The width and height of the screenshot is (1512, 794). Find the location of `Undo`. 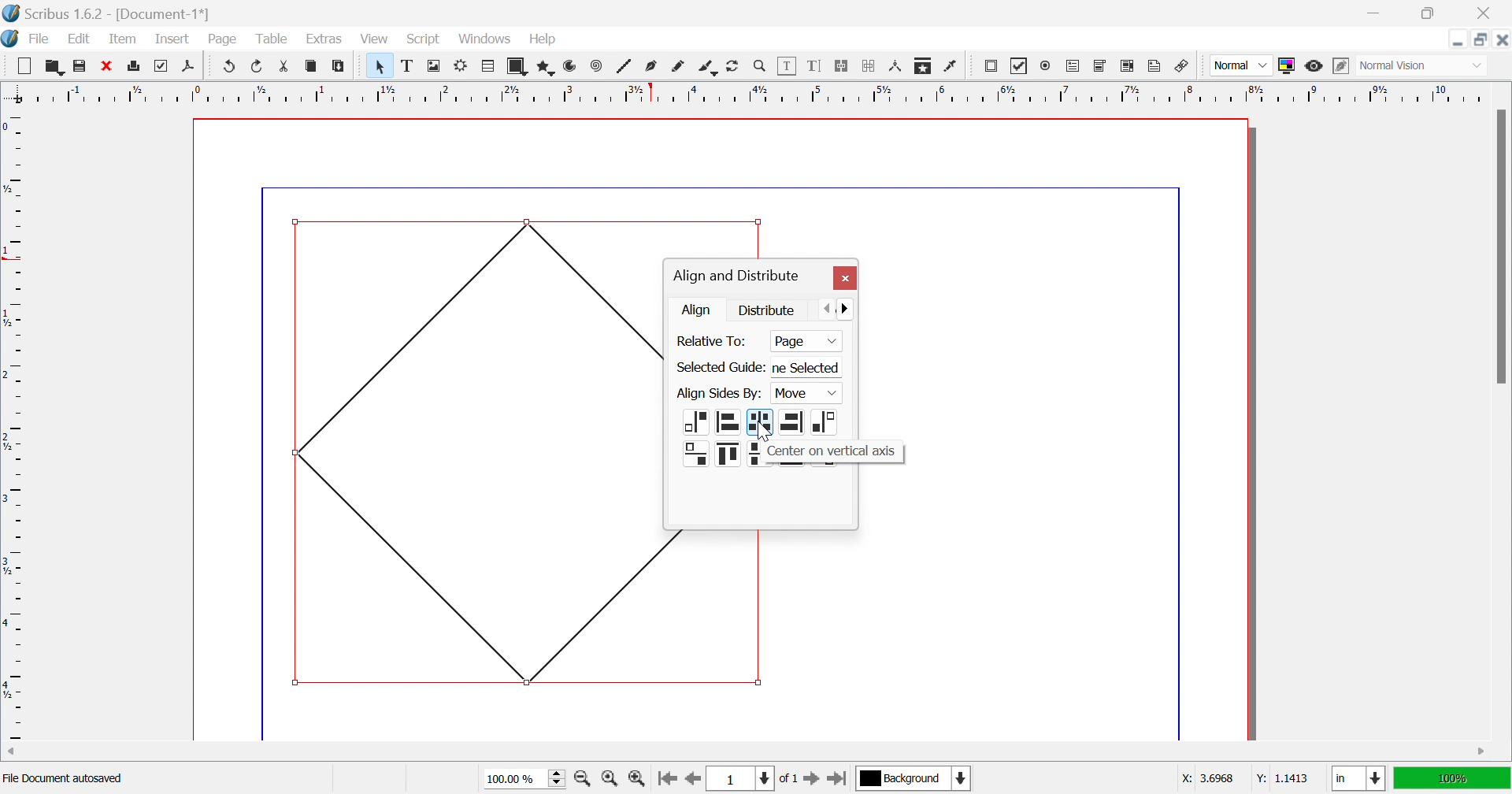

Undo is located at coordinates (230, 66).